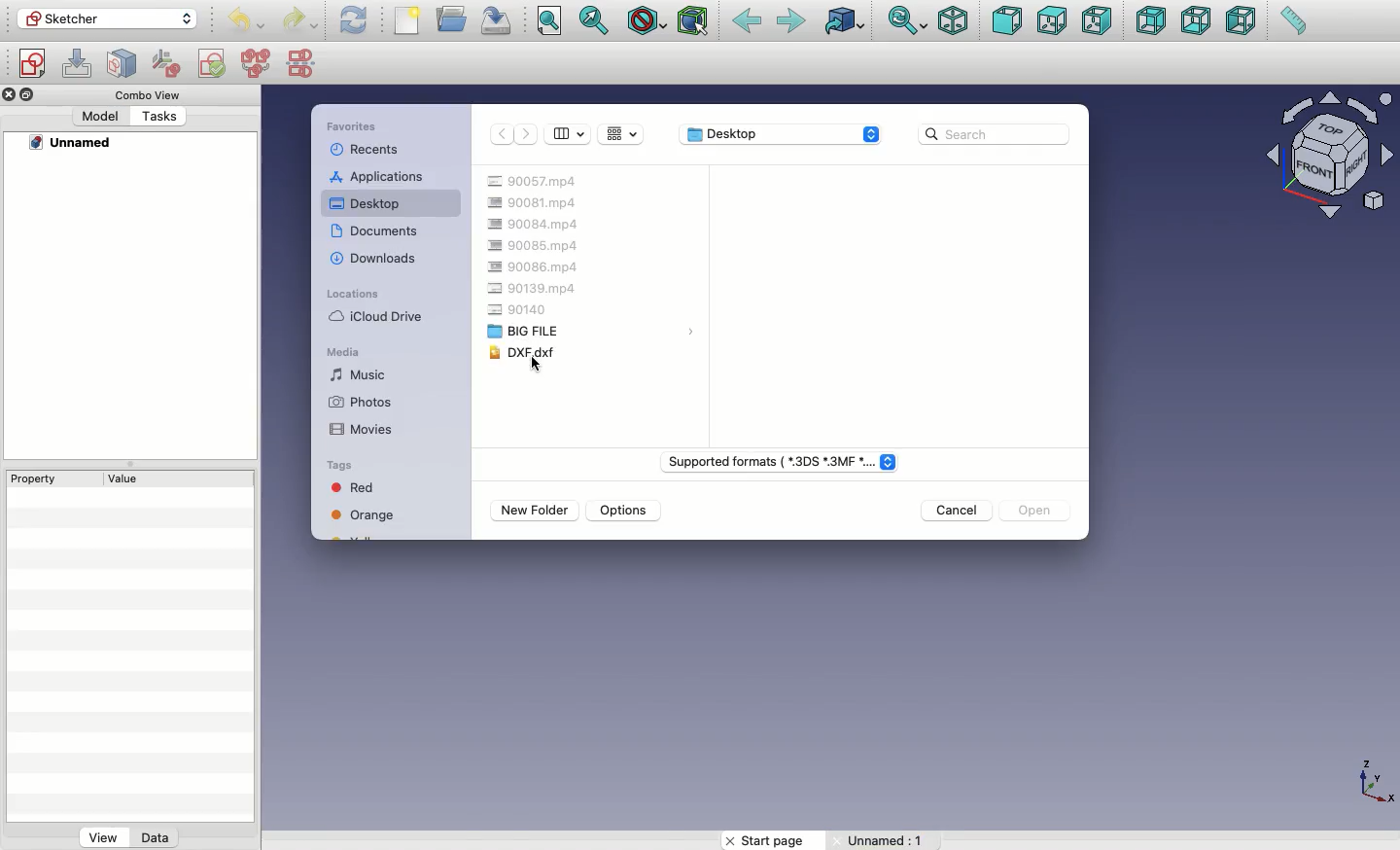 The height and width of the screenshot is (850, 1400). I want to click on Property, so click(38, 480).